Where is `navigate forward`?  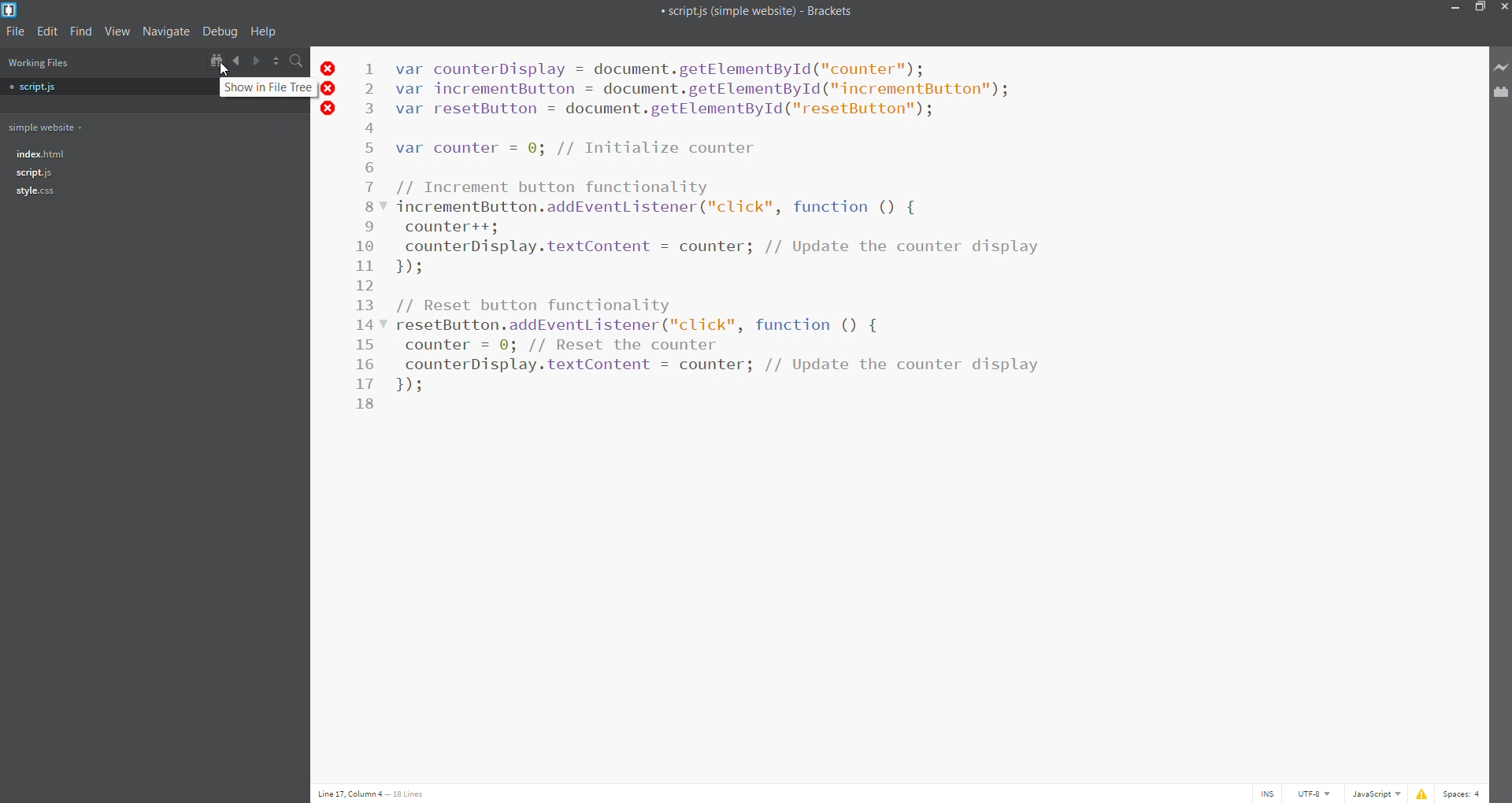 navigate forward is located at coordinates (256, 60).